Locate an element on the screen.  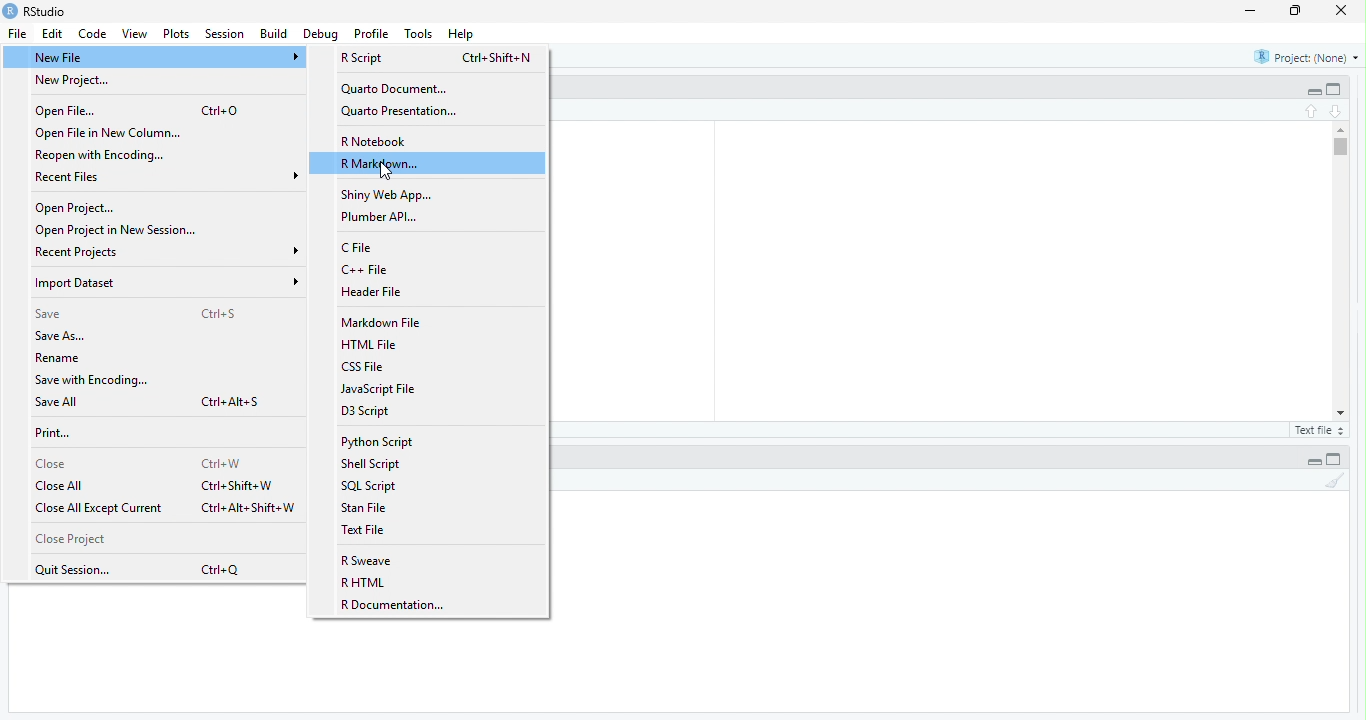
close is located at coordinates (1342, 10).